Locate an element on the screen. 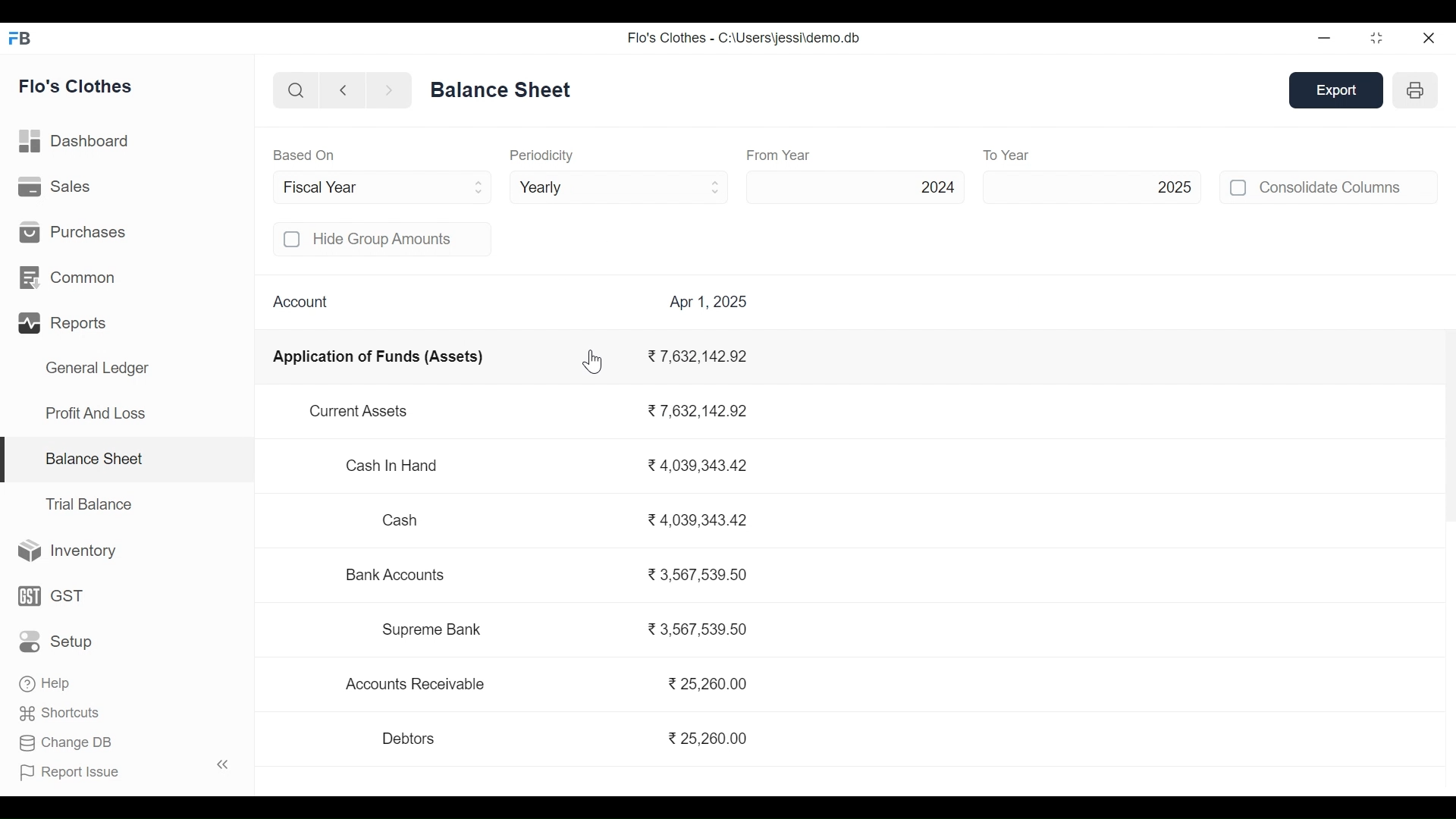 Image resolution: width=1456 pixels, height=819 pixels. General Ledger is located at coordinates (97, 370).